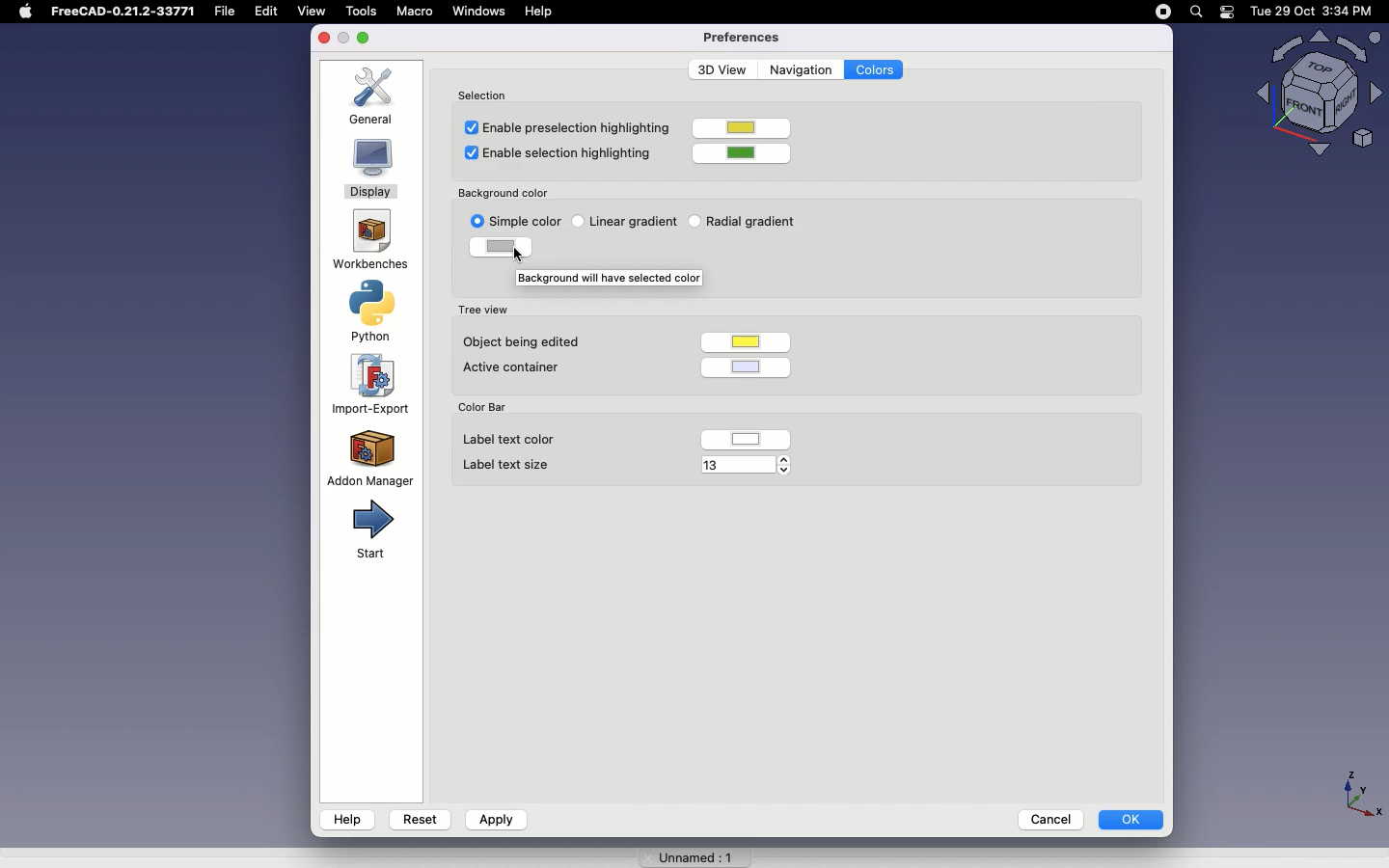  What do you see at coordinates (1132, 819) in the screenshot?
I see `OK` at bounding box center [1132, 819].